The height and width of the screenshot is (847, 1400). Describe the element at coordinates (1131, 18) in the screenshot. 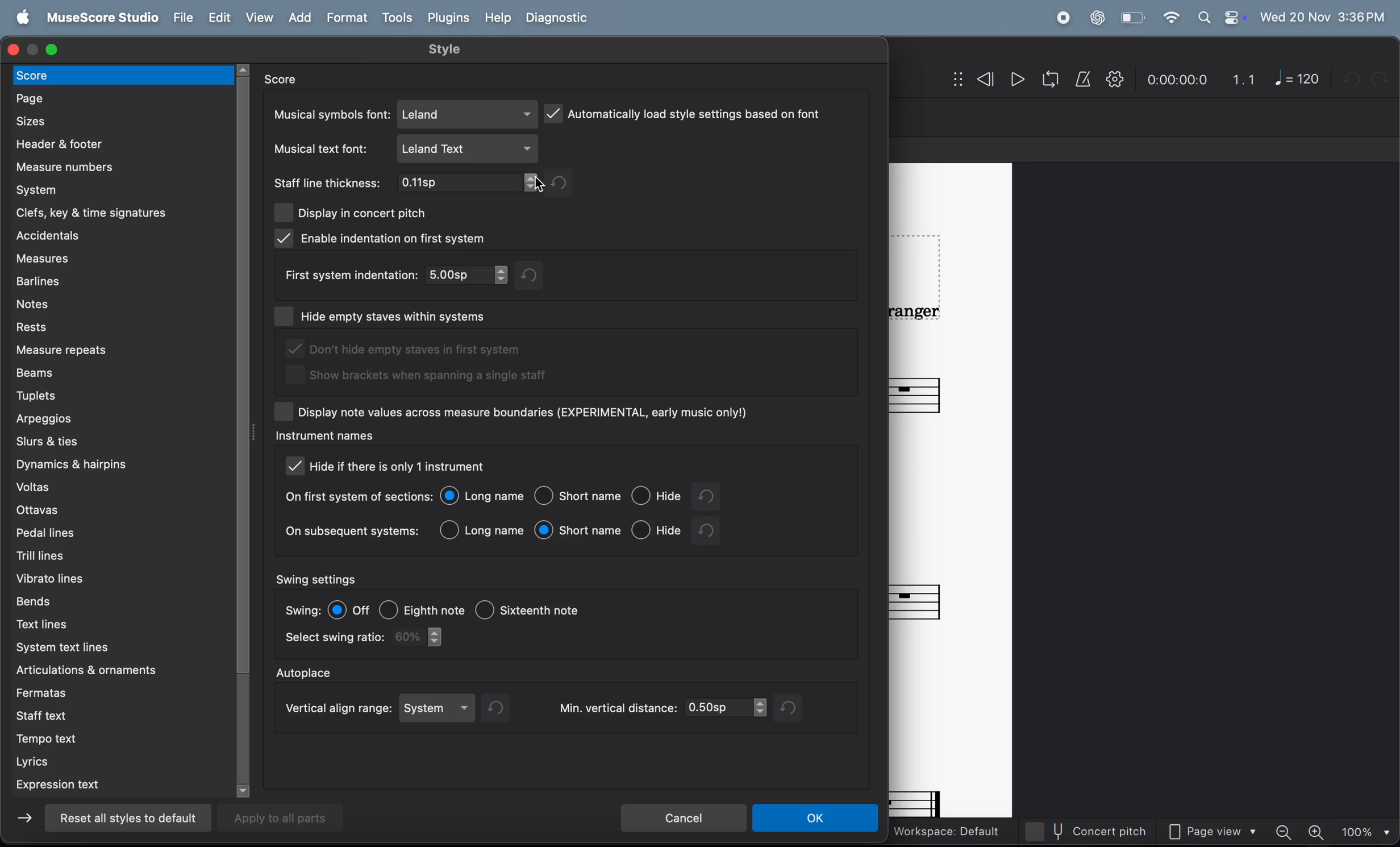

I see `battery` at that location.